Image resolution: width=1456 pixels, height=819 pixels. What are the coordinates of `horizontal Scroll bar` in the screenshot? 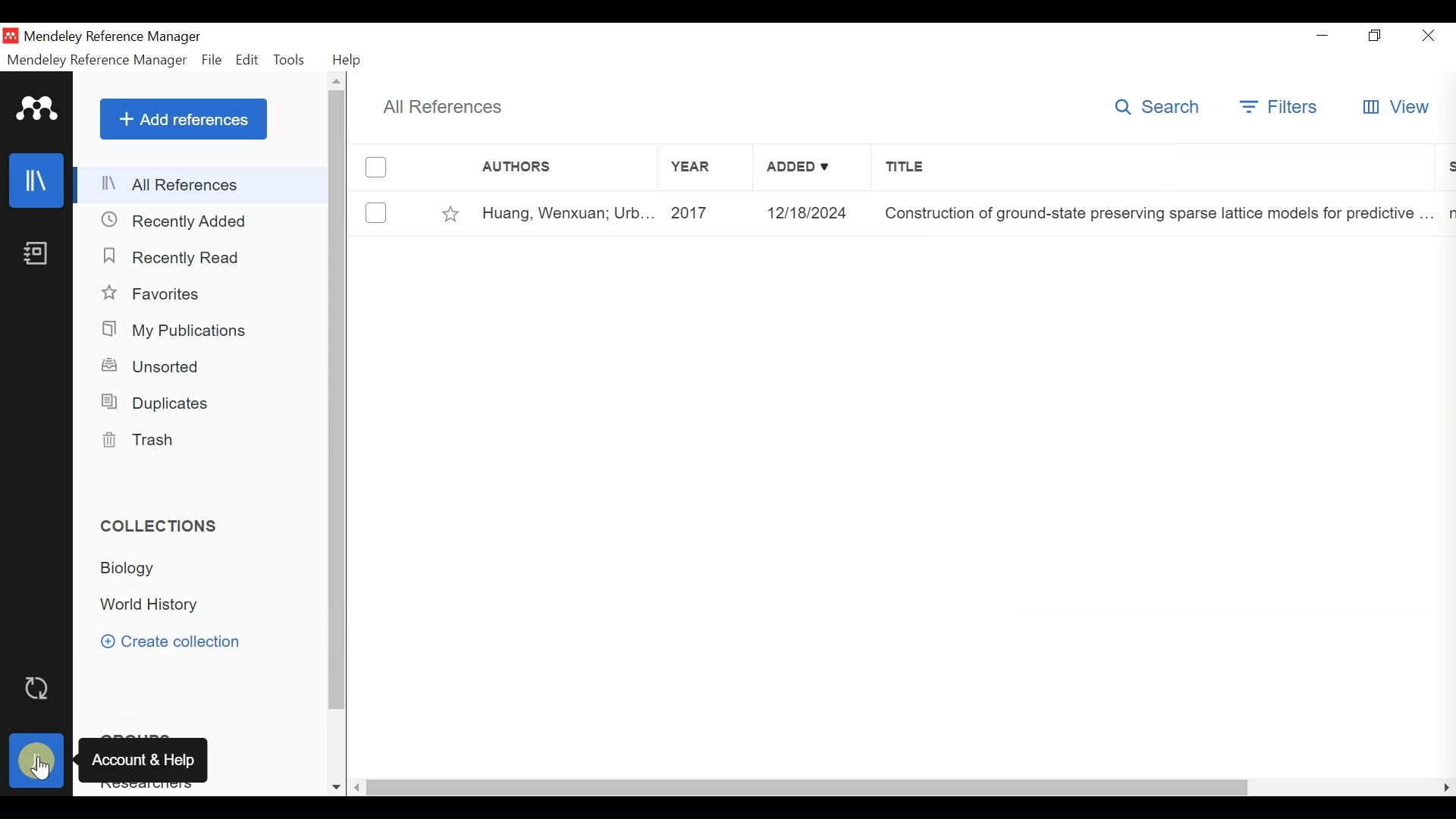 It's located at (811, 788).